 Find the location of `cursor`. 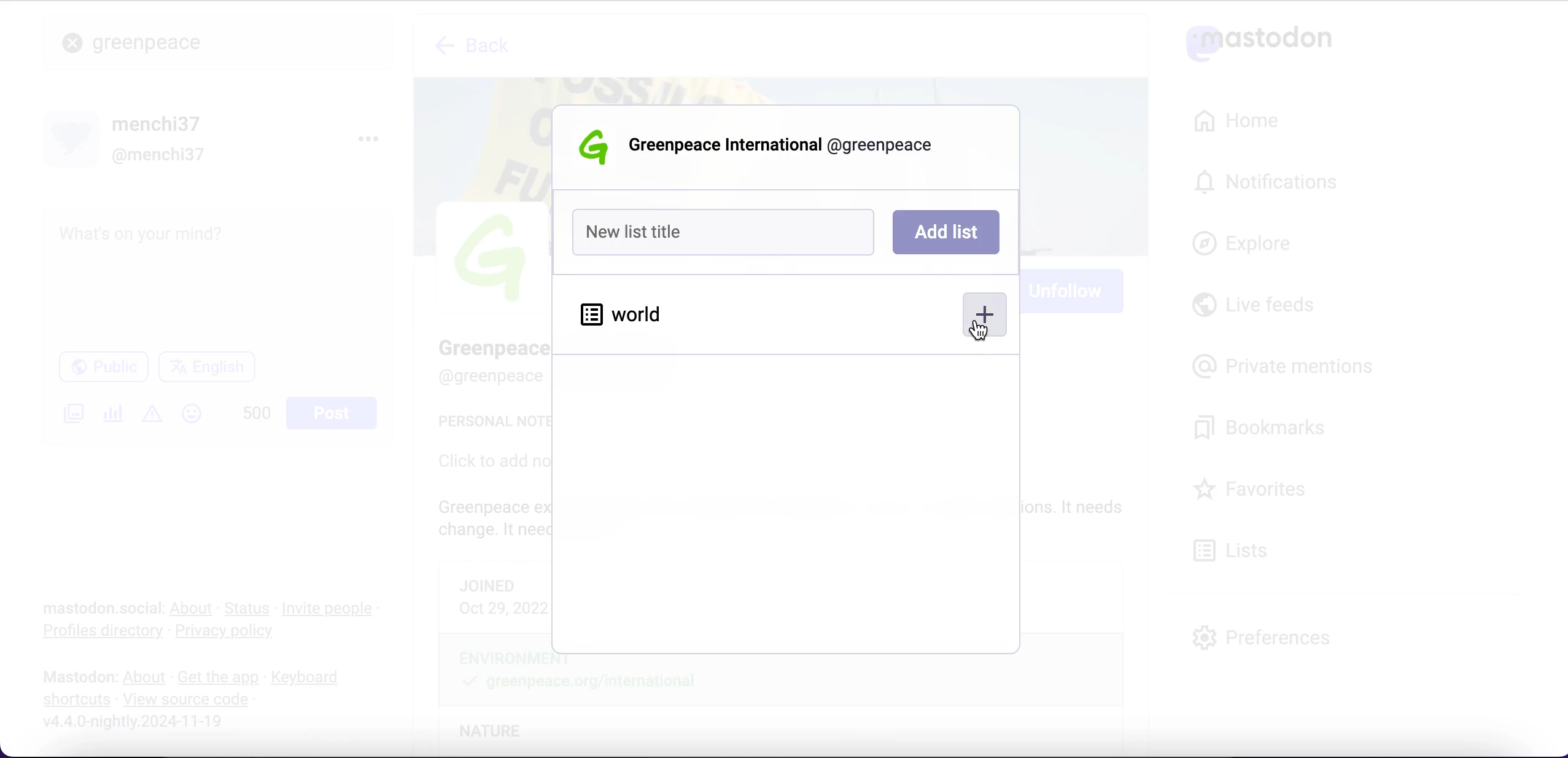

cursor is located at coordinates (982, 330).